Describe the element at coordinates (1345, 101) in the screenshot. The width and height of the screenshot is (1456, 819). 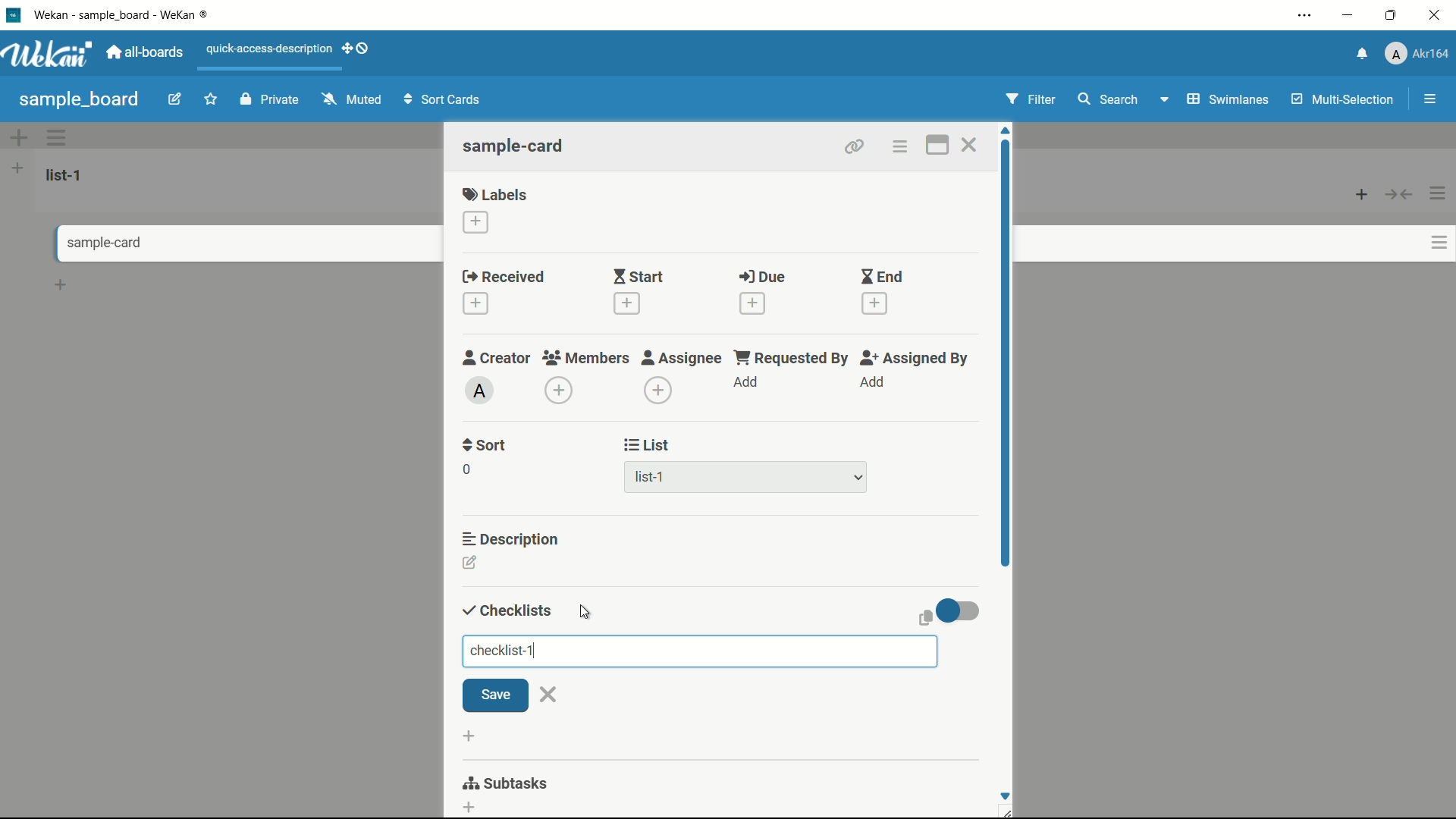
I see `multi selection` at that location.